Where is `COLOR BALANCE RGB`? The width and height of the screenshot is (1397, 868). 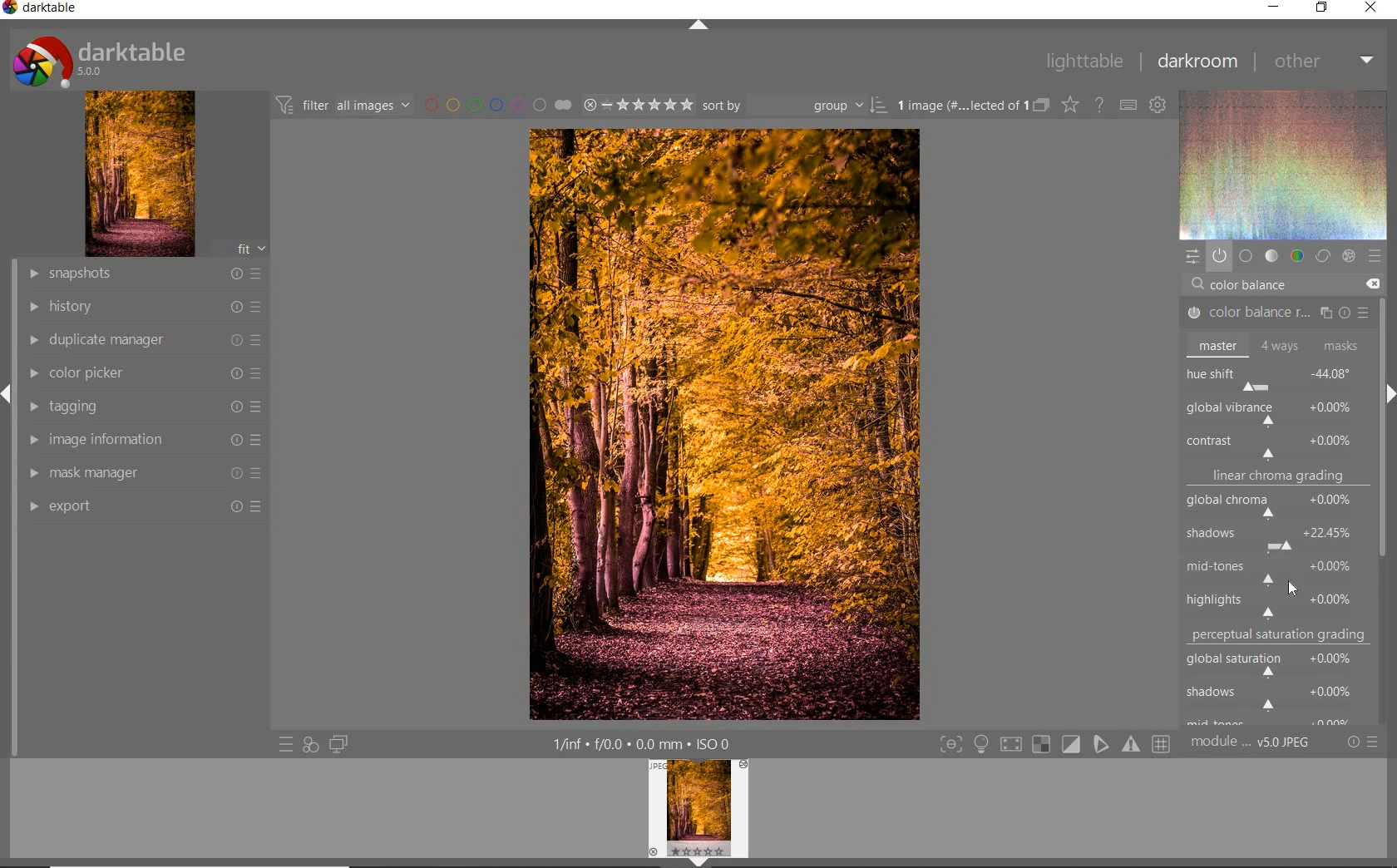
COLOR BALANCE RGB is located at coordinates (1273, 313).